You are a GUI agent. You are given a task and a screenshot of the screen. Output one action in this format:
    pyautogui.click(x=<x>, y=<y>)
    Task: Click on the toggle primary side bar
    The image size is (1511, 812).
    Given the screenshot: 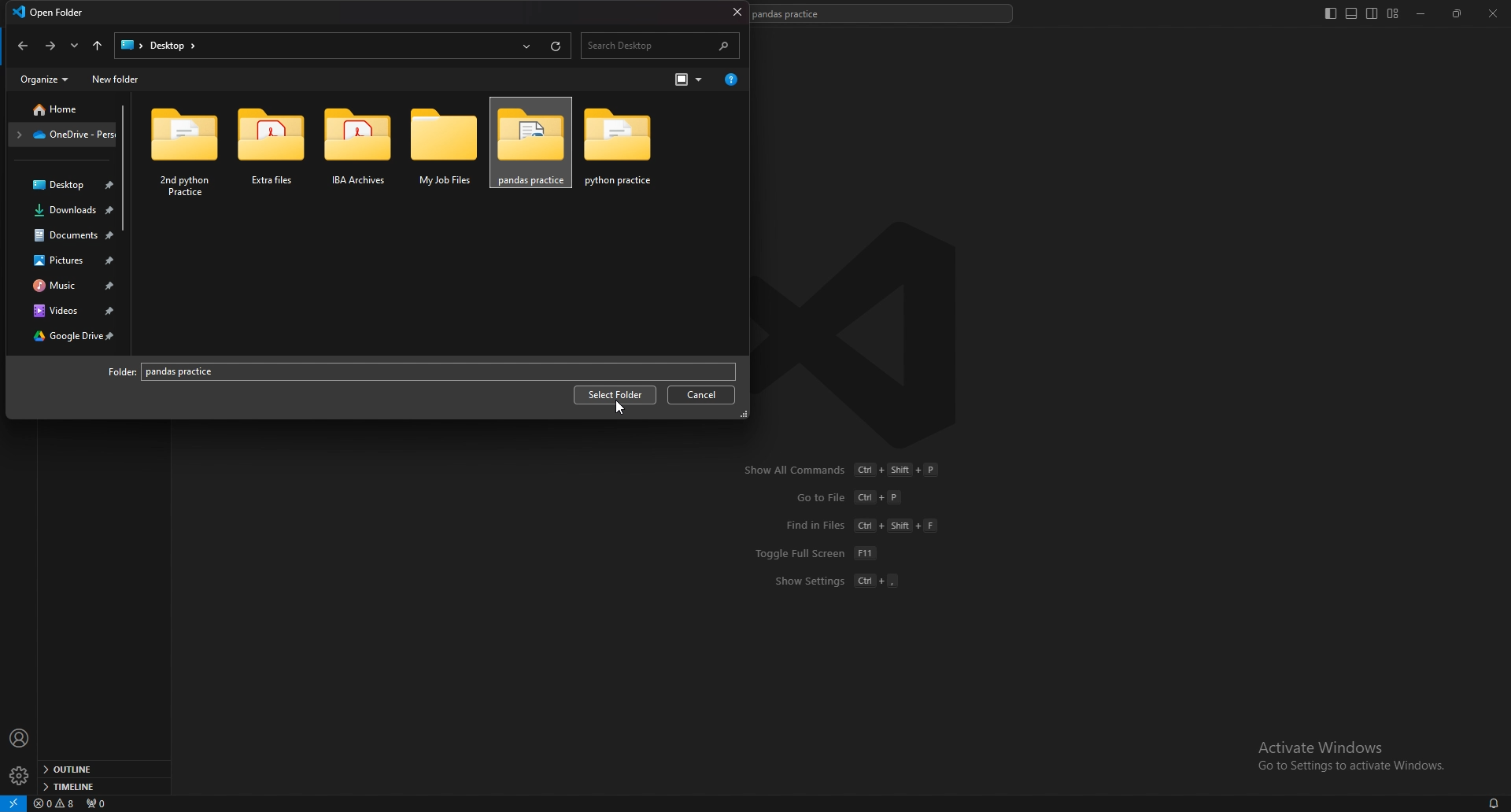 What is the action you would take?
    pyautogui.click(x=1332, y=13)
    